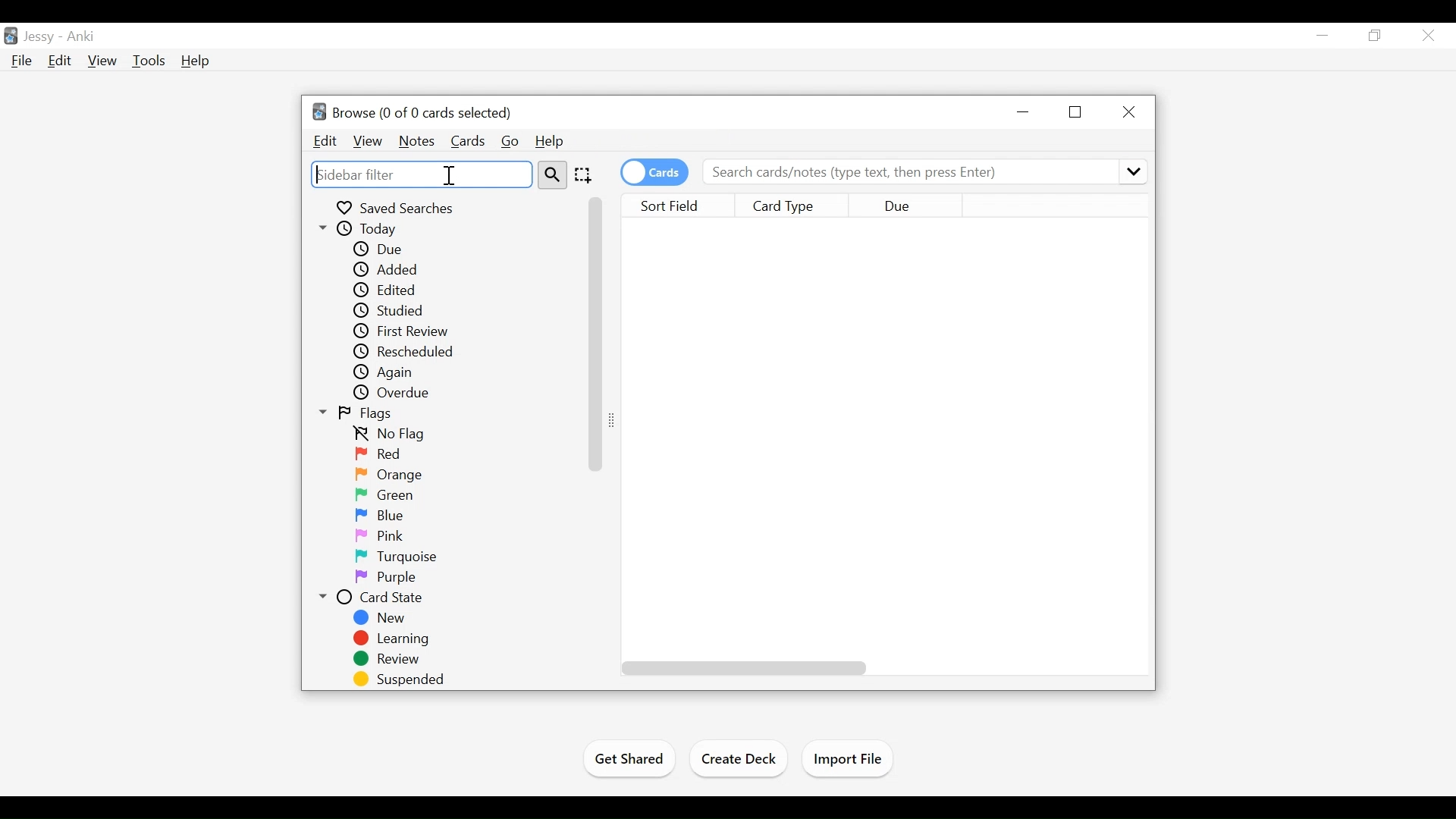 The image size is (1456, 819). I want to click on Orange, so click(393, 475).